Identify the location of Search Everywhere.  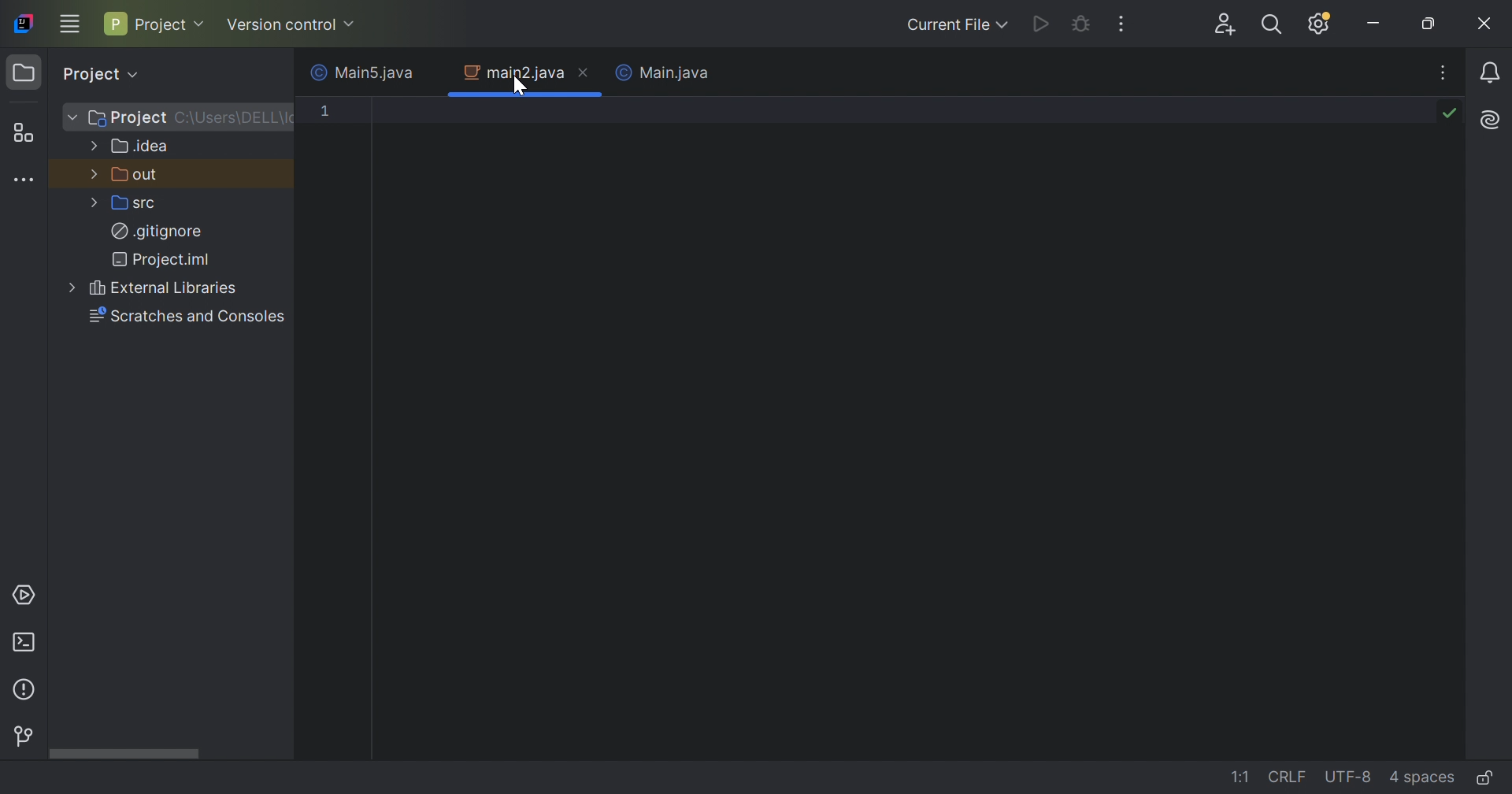
(1270, 25).